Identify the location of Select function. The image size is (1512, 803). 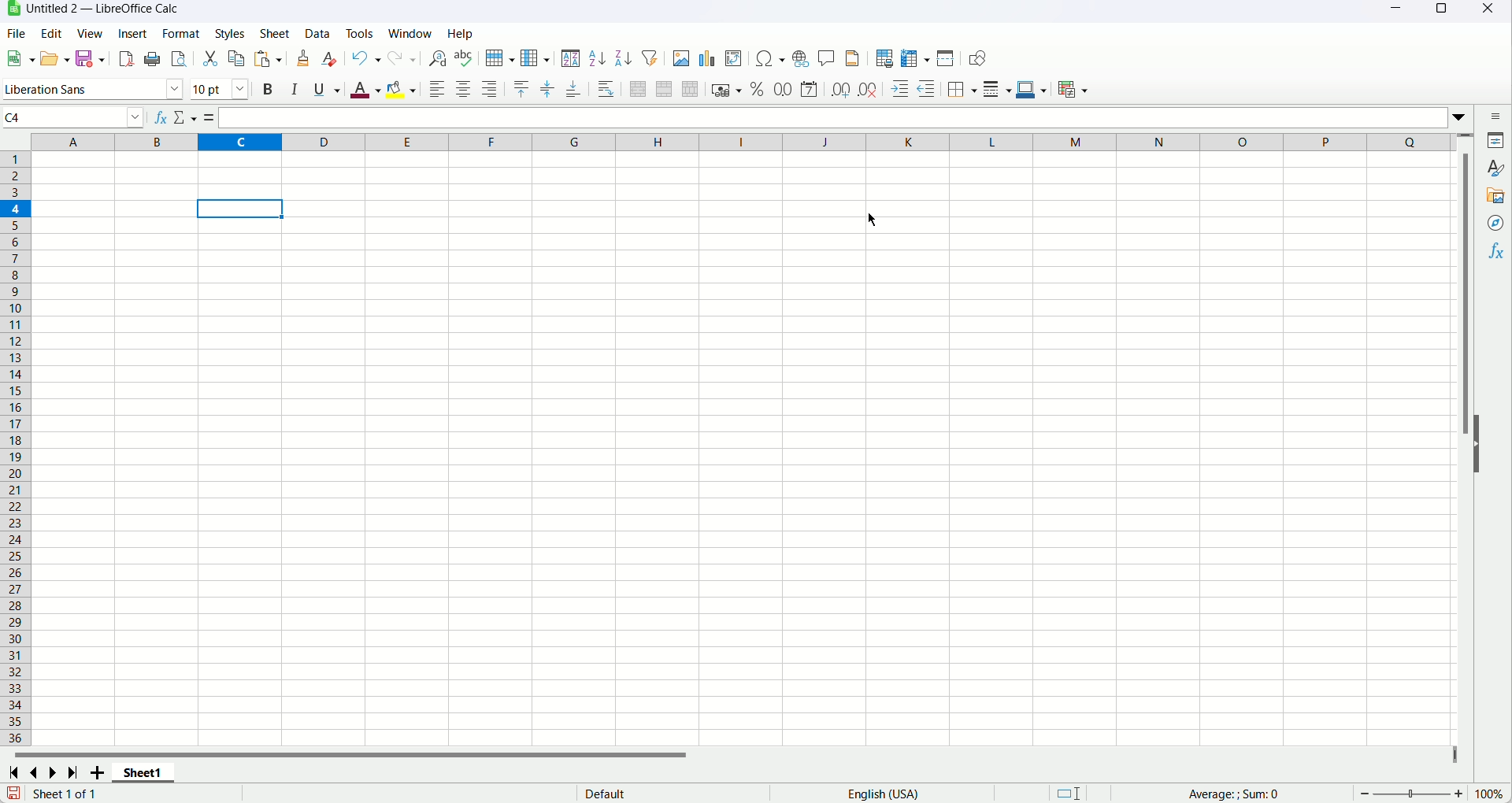
(187, 119).